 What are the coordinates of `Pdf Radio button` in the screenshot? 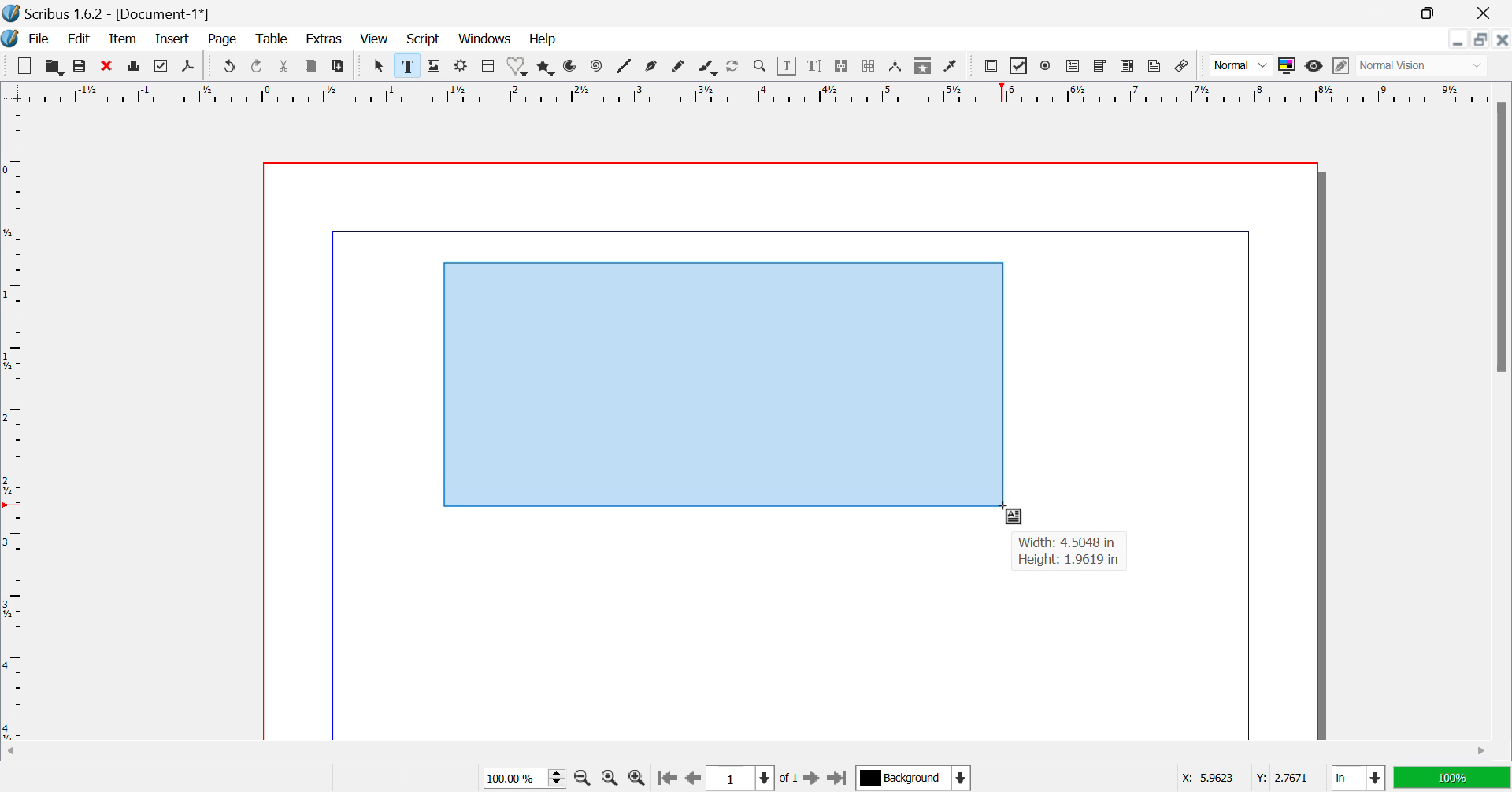 It's located at (1048, 66).